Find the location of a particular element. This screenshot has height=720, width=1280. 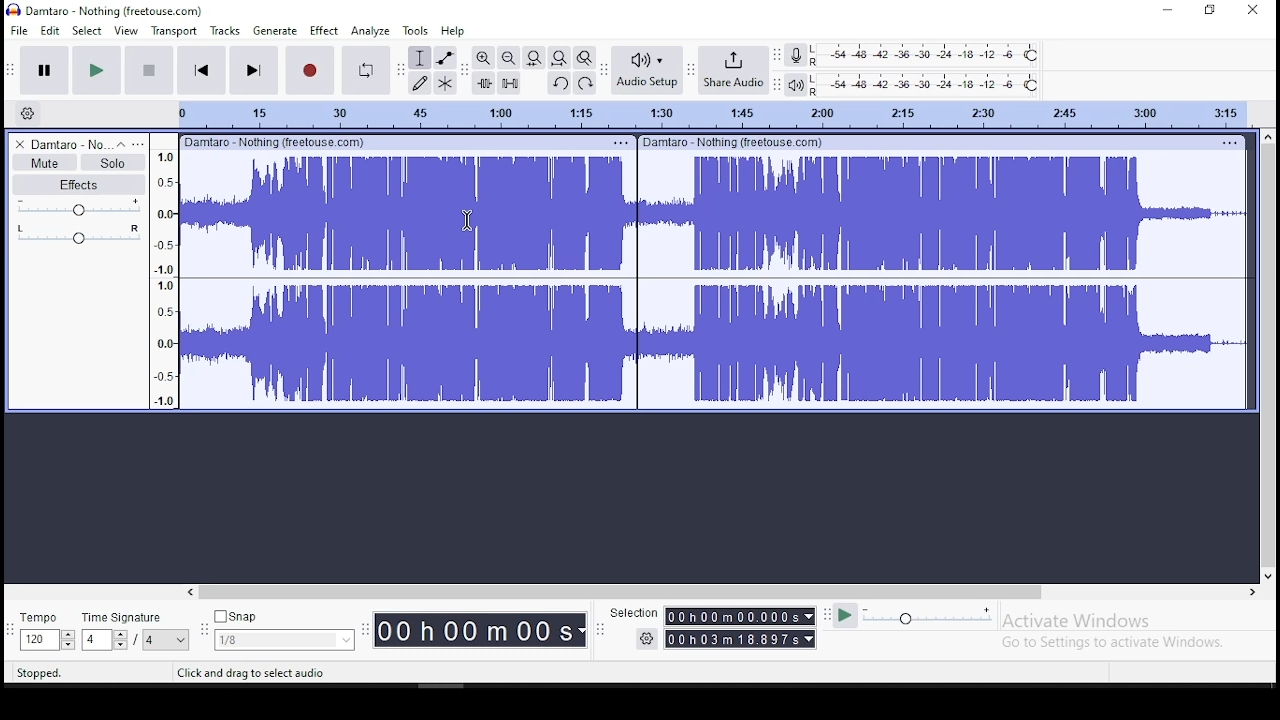

volume is located at coordinates (79, 209).